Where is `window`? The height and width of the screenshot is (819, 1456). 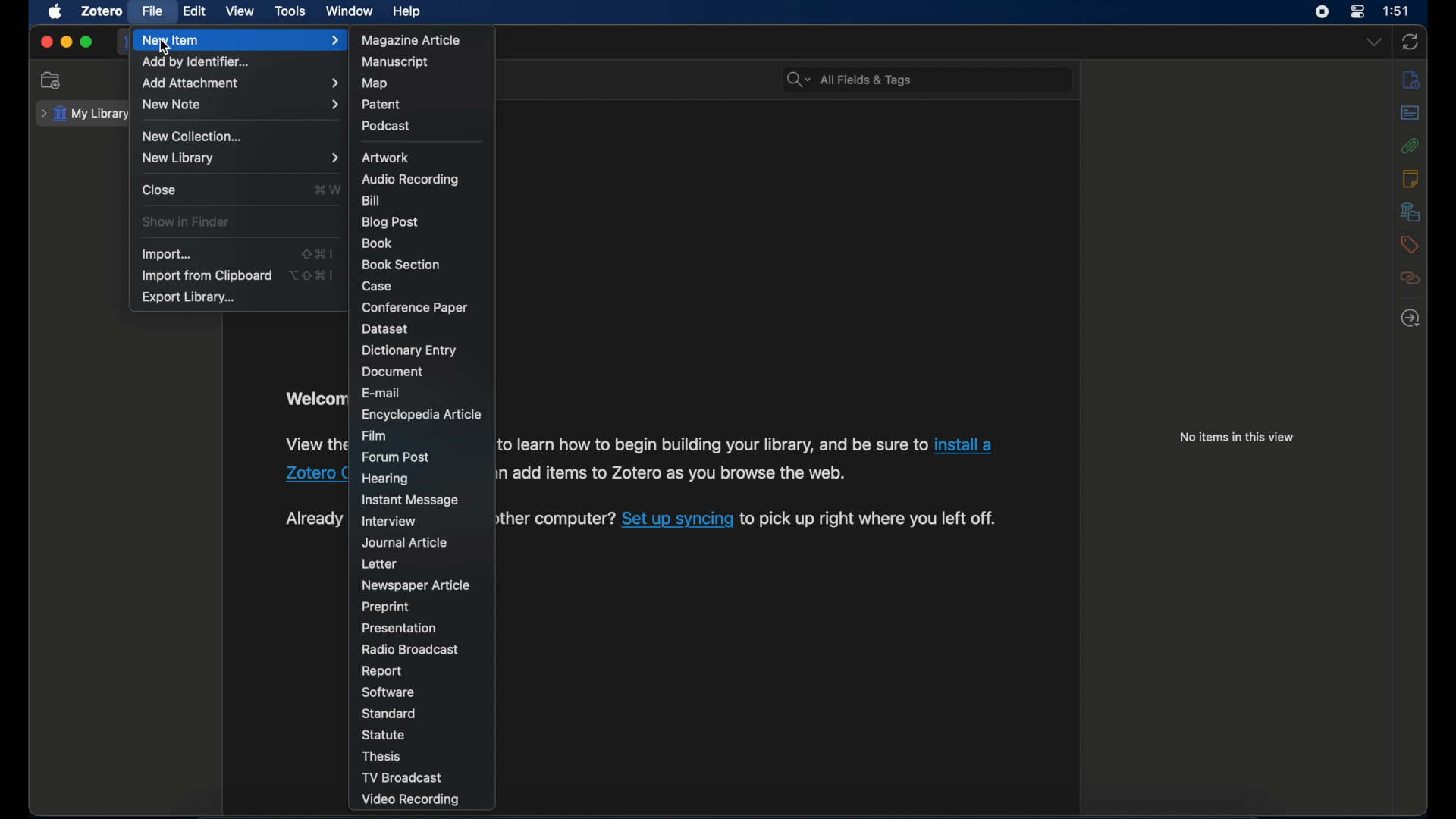
window is located at coordinates (350, 11).